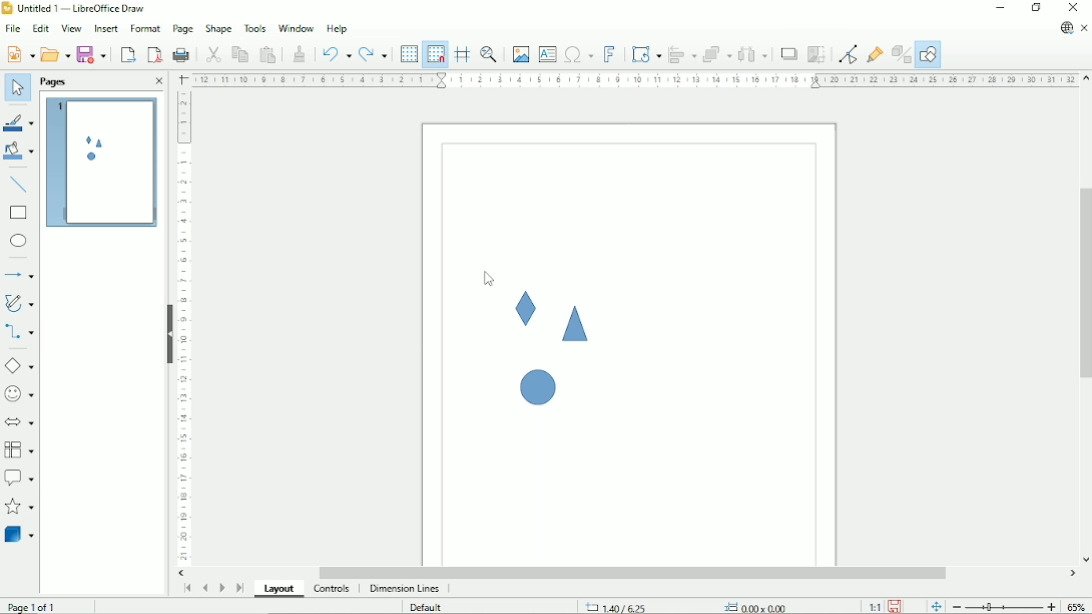 The height and width of the screenshot is (614, 1092). Describe the element at coordinates (876, 54) in the screenshot. I see `Show gluepoint functions` at that location.